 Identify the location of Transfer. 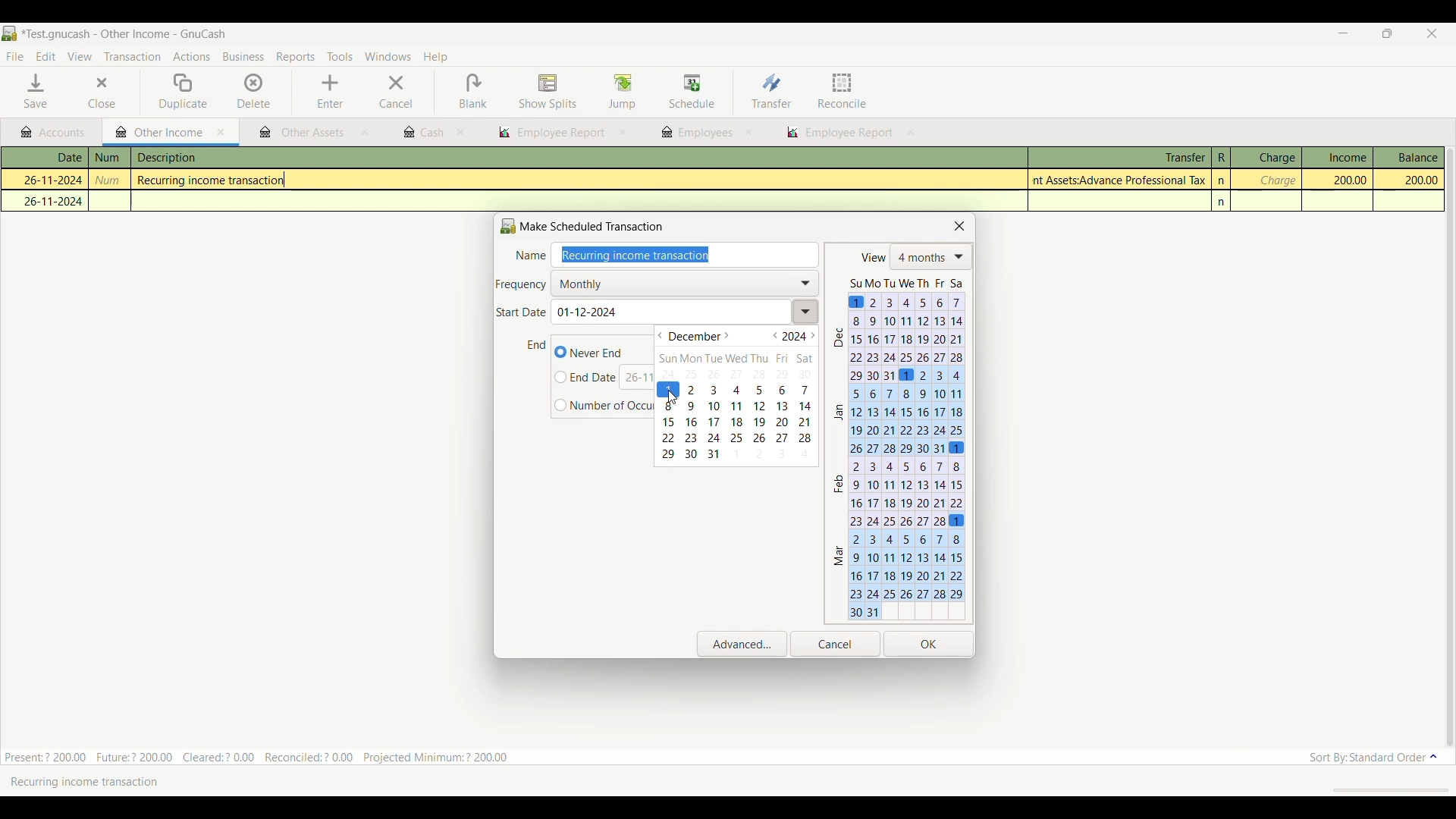
(771, 90).